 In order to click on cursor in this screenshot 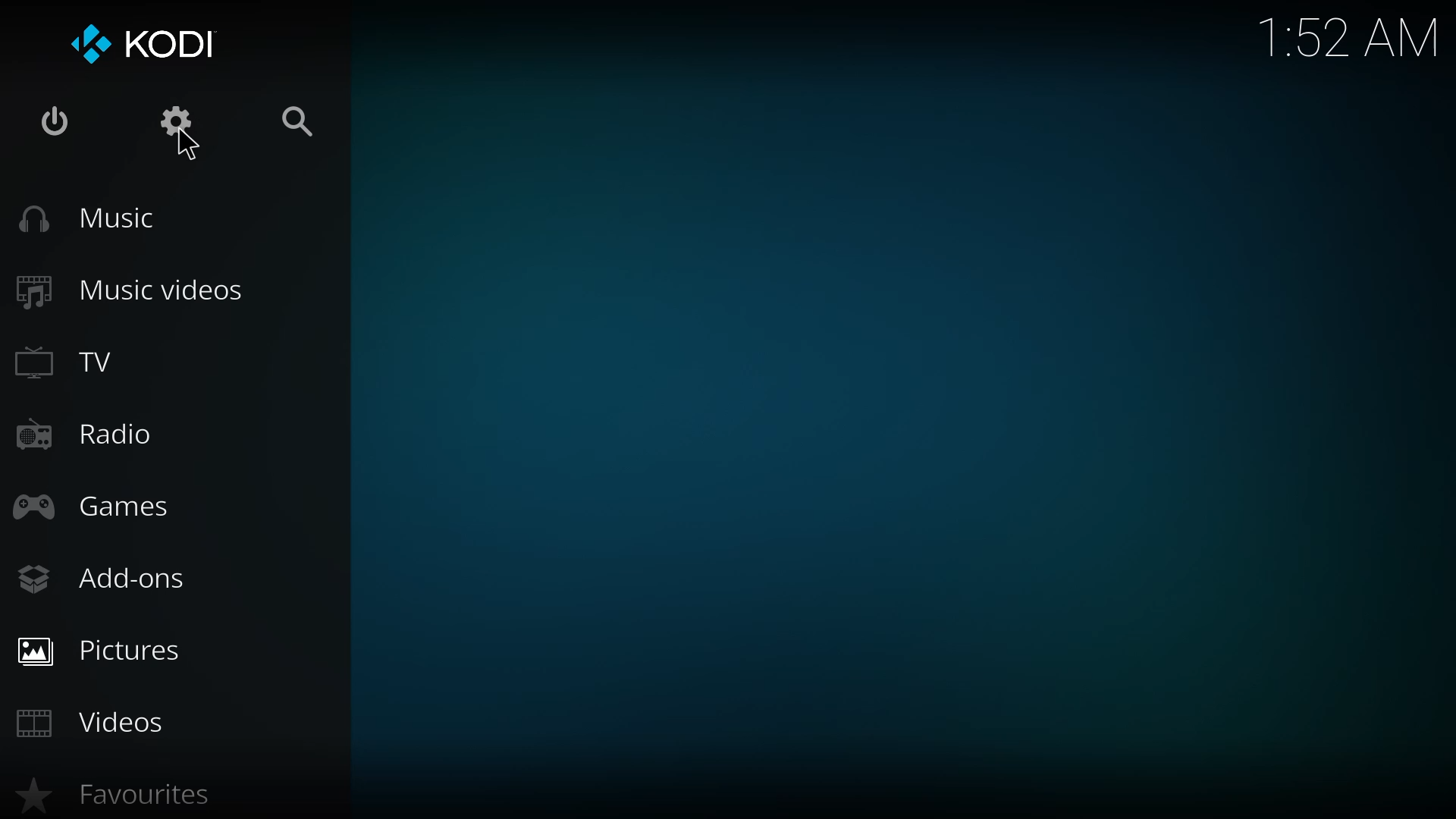, I will do `click(184, 145)`.